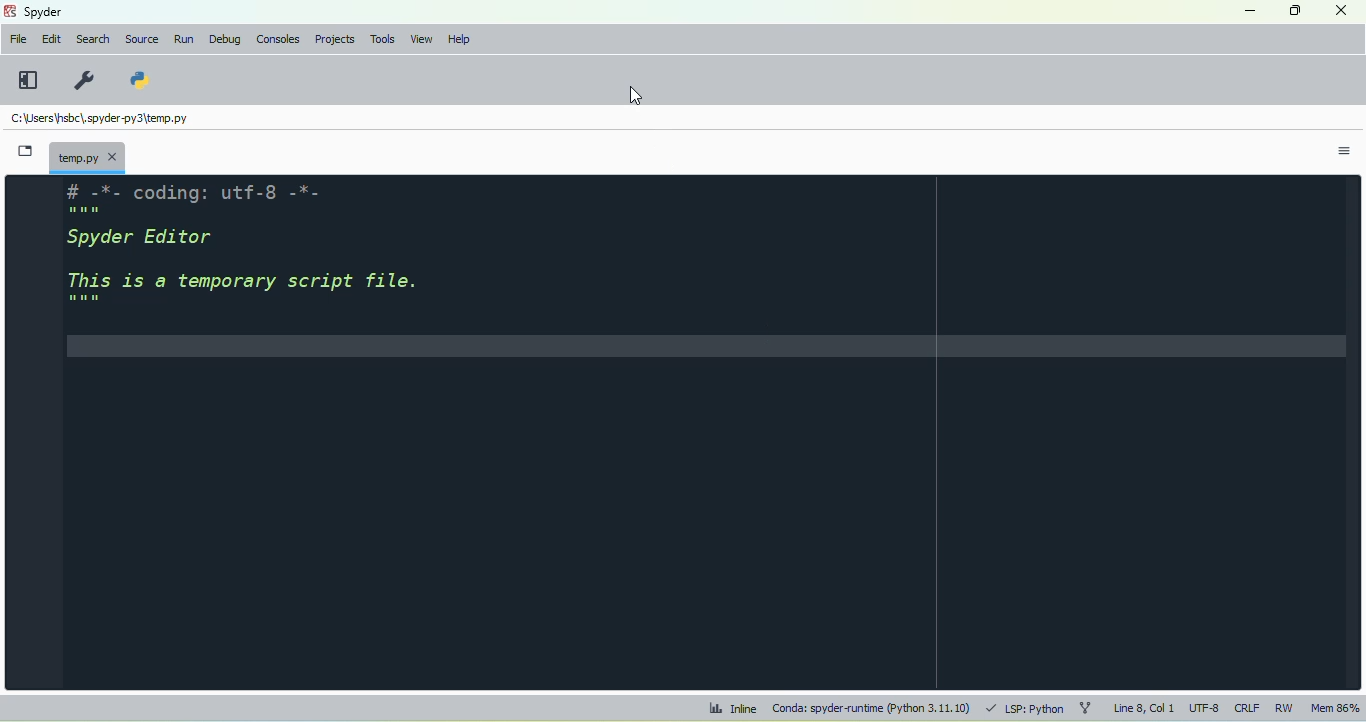 The image size is (1366, 722). What do you see at coordinates (1247, 708) in the screenshot?
I see `CRLF` at bounding box center [1247, 708].